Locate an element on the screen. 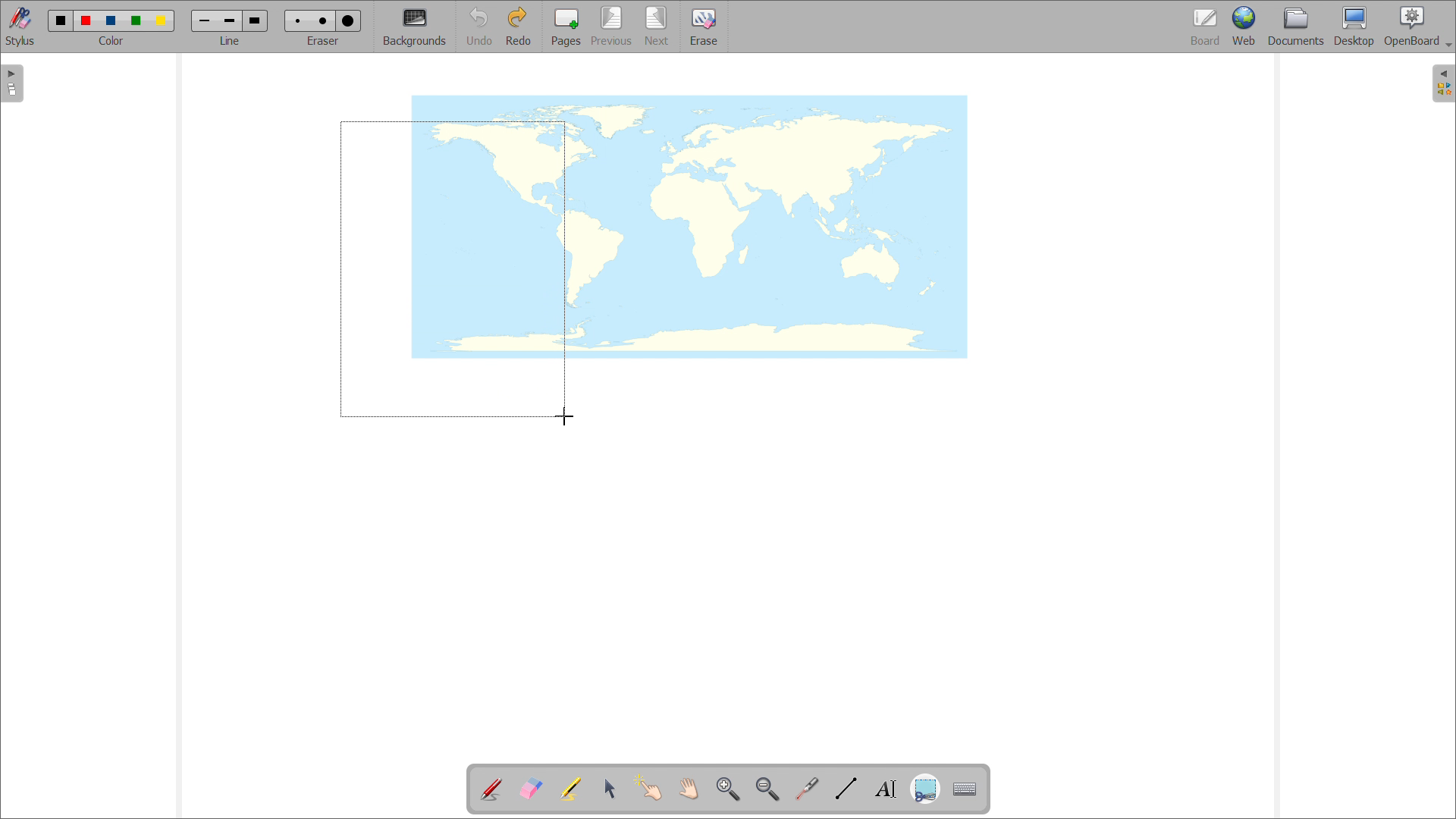 The width and height of the screenshot is (1456, 819). virtual laser pointer is located at coordinates (806, 789).